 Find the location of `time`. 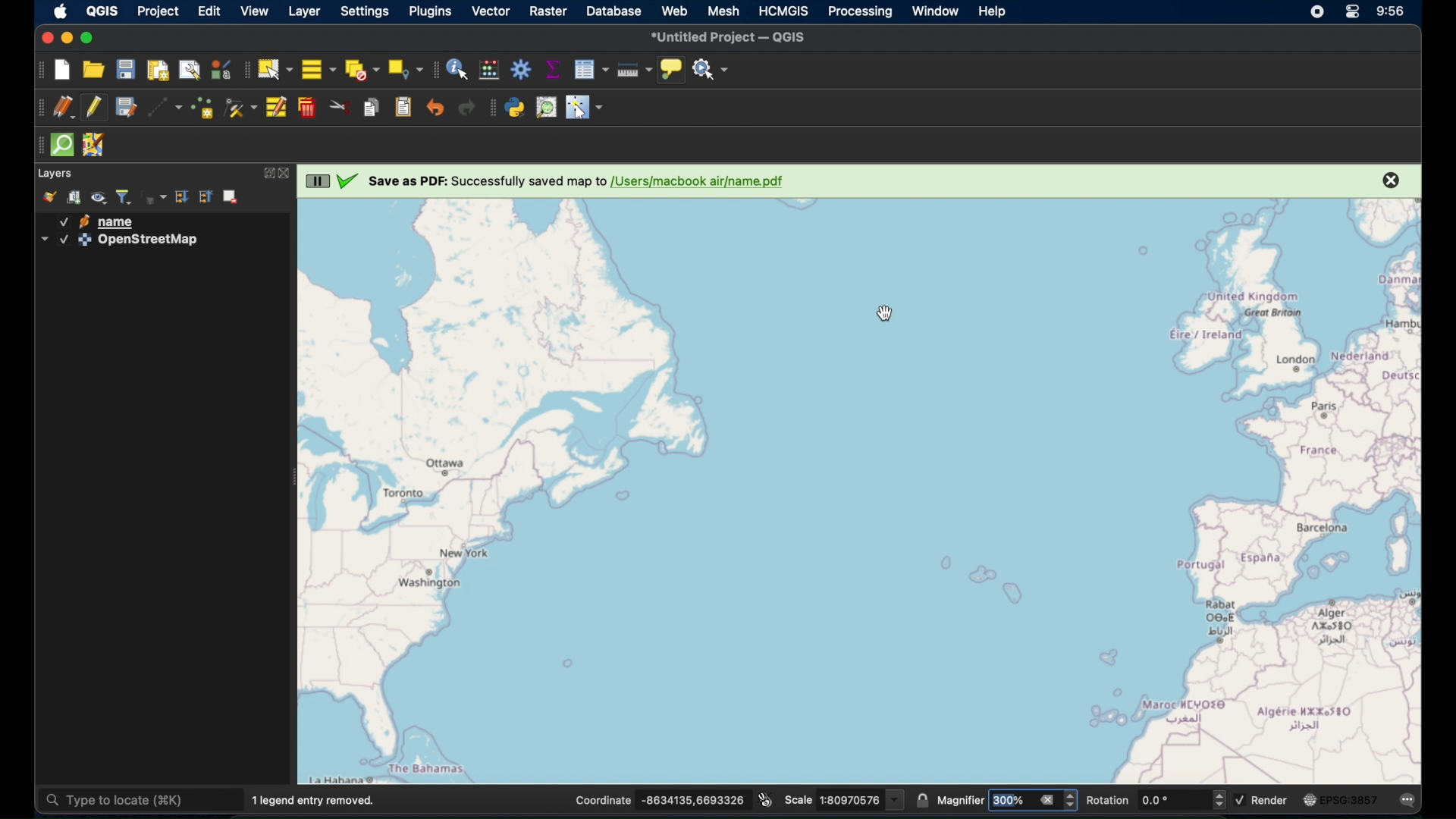

time is located at coordinates (1393, 13).